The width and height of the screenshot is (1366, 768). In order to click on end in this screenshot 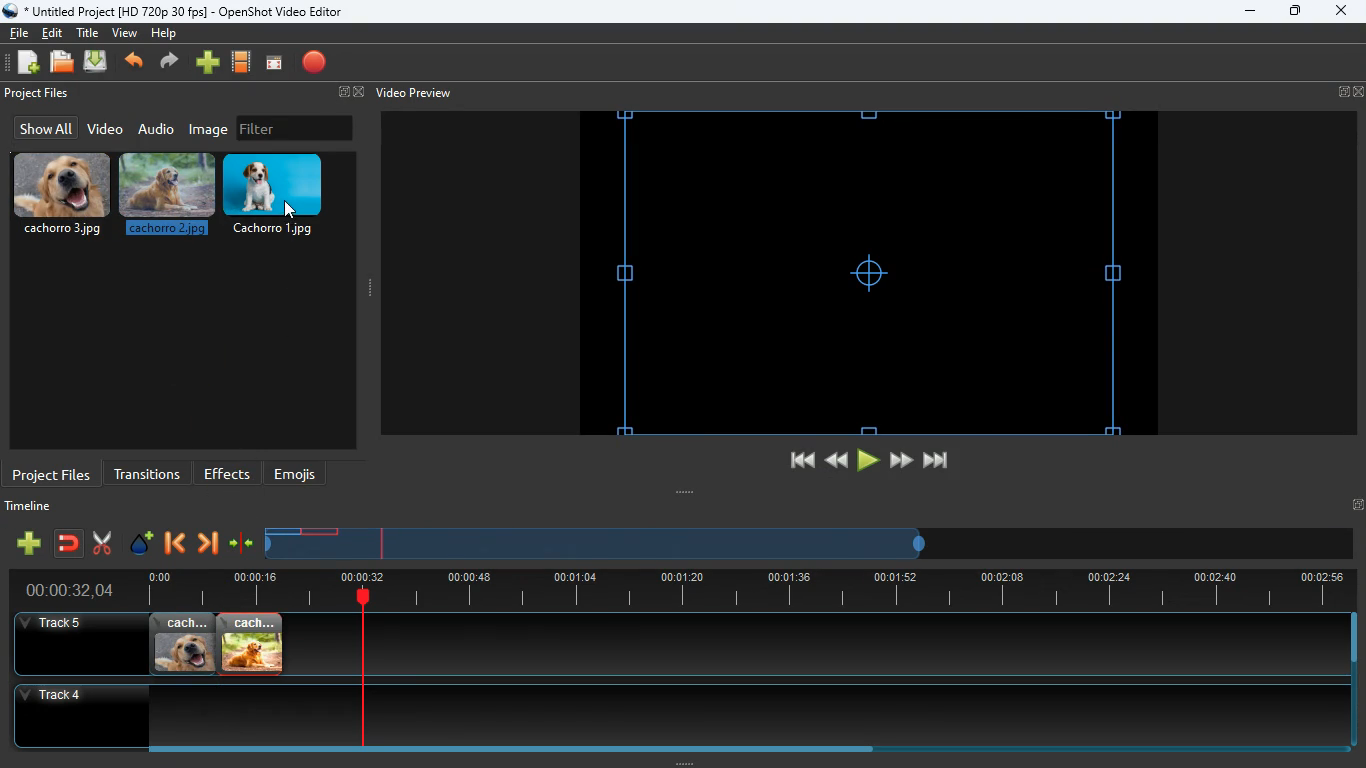, I will do `click(938, 464)`.